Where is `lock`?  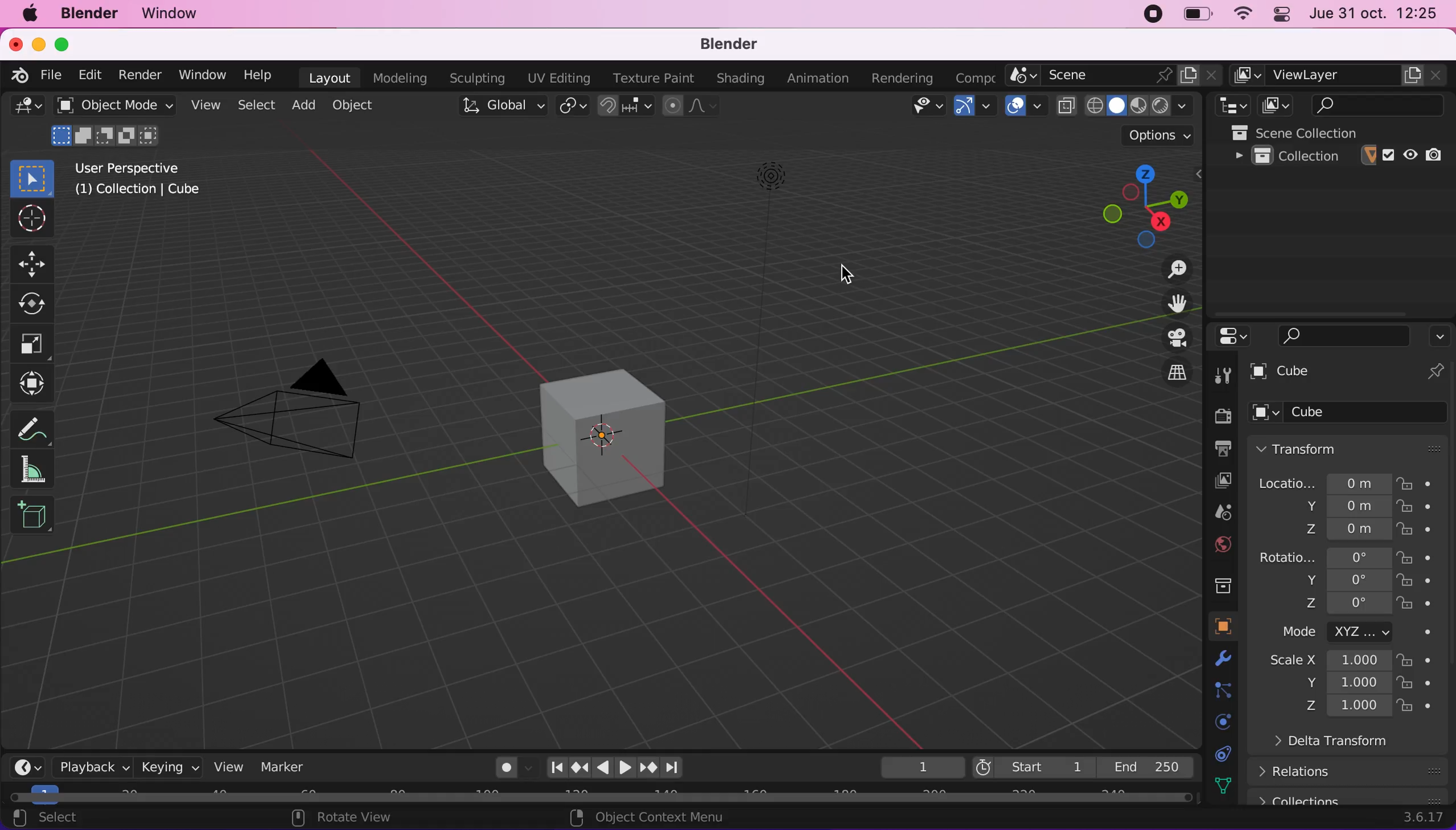 lock is located at coordinates (1427, 605).